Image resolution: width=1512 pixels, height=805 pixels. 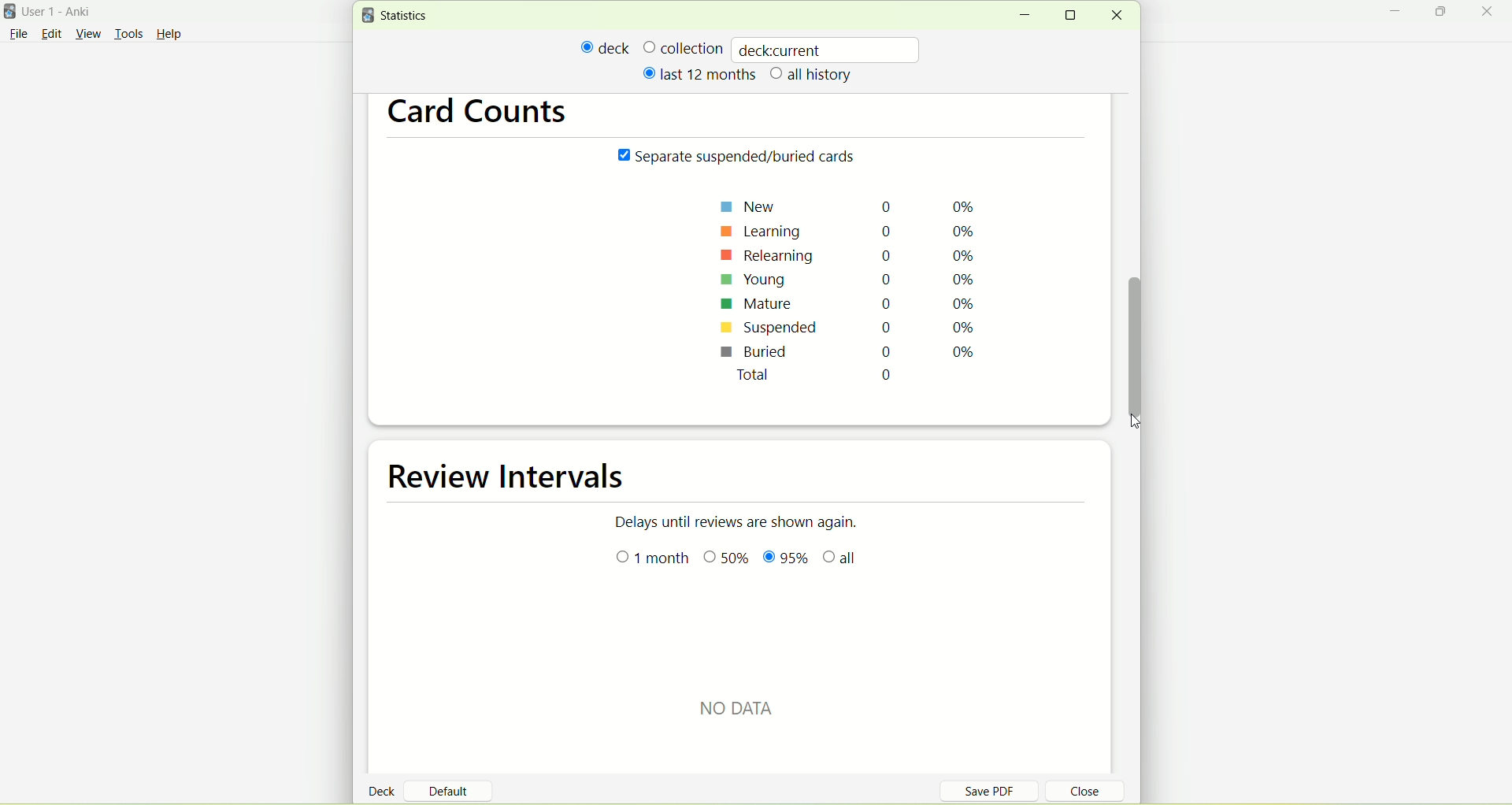 I want to click on File , so click(x=18, y=34).